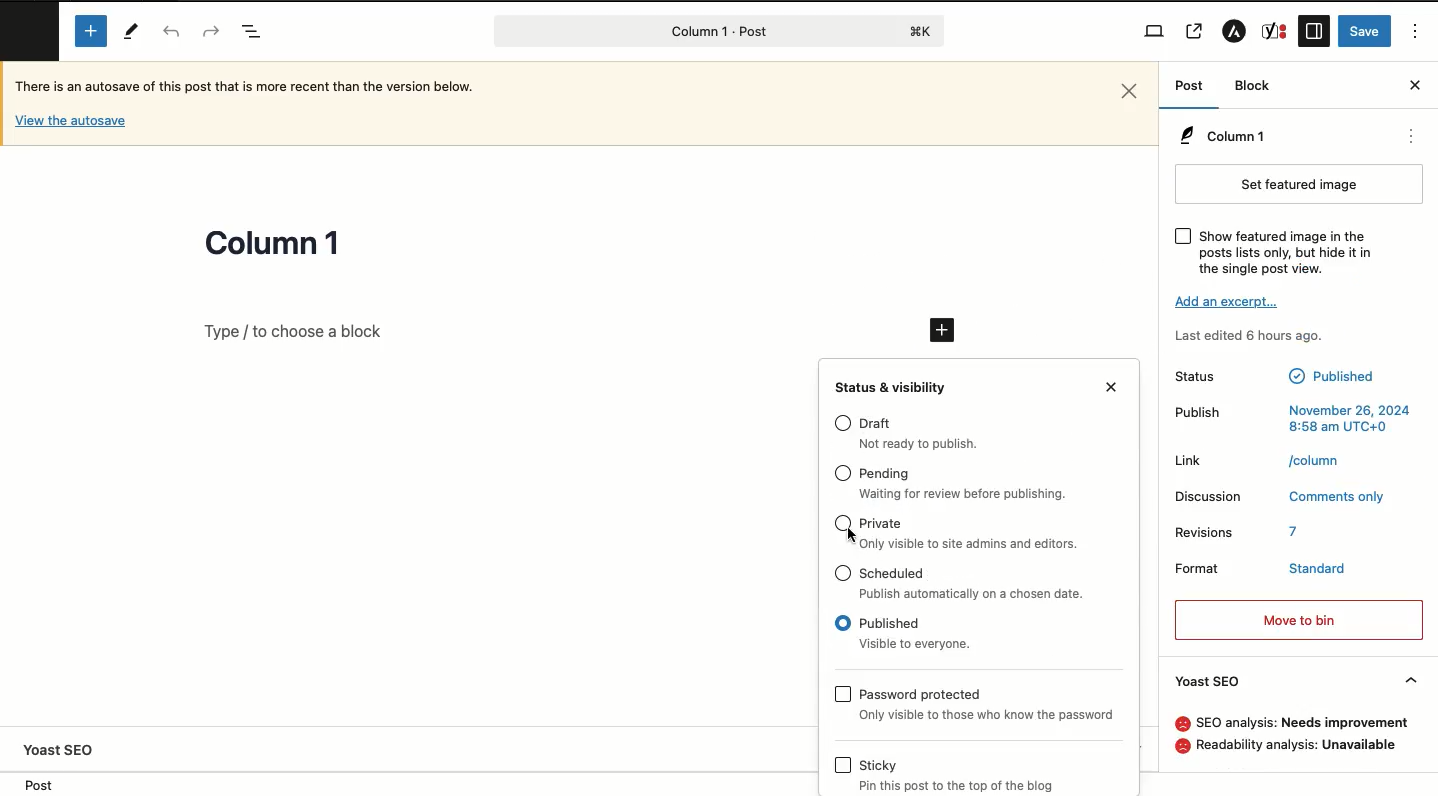 This screenshot has height=796, width=1438. Describe the element at coordinates (1234, 34) in the screenshot. I see `Astar` at that location.